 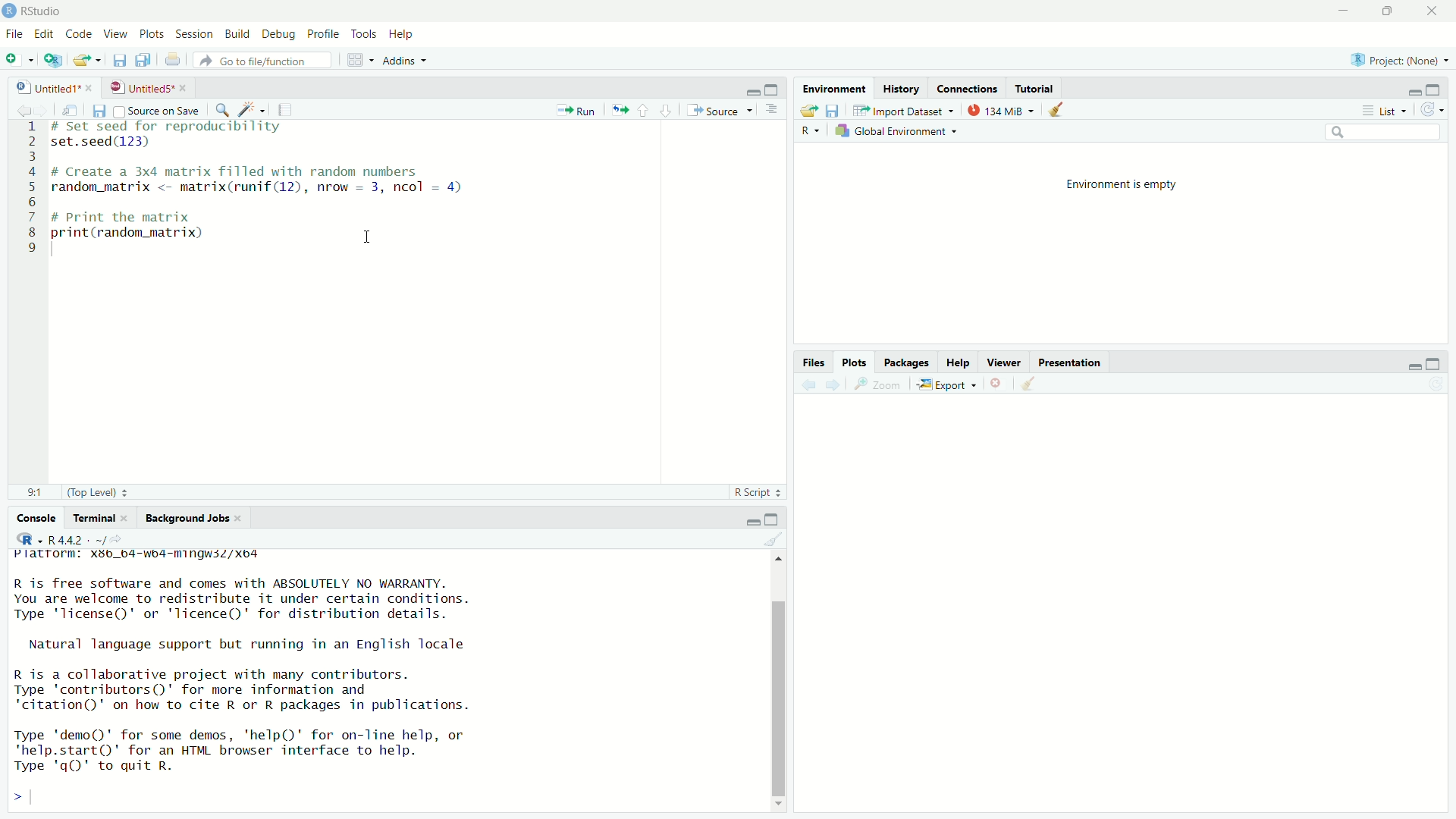 I want to click on View, so click(x=116, y=33).